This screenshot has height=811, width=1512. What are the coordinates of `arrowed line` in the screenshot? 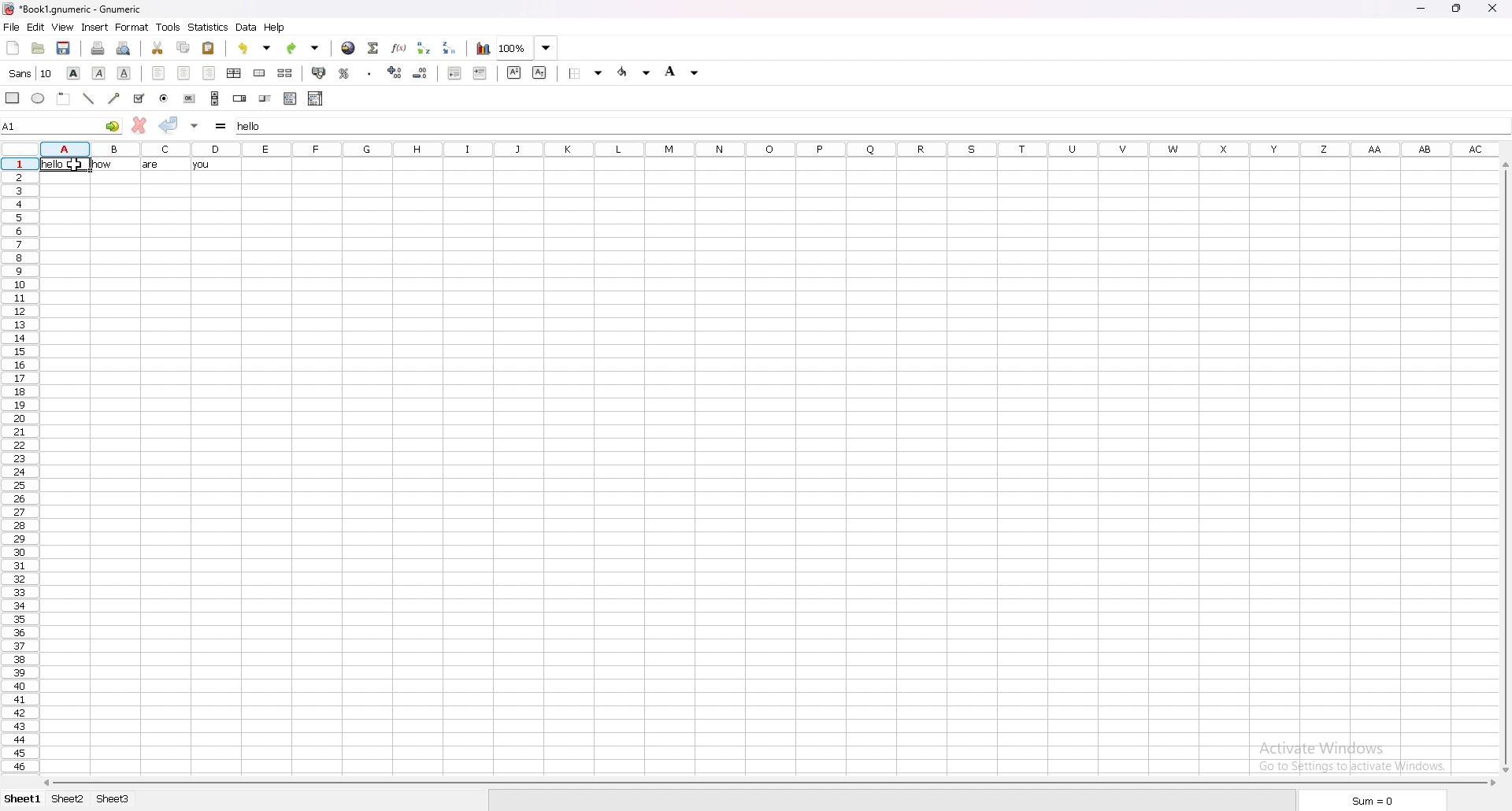 It's located at (113, 98).